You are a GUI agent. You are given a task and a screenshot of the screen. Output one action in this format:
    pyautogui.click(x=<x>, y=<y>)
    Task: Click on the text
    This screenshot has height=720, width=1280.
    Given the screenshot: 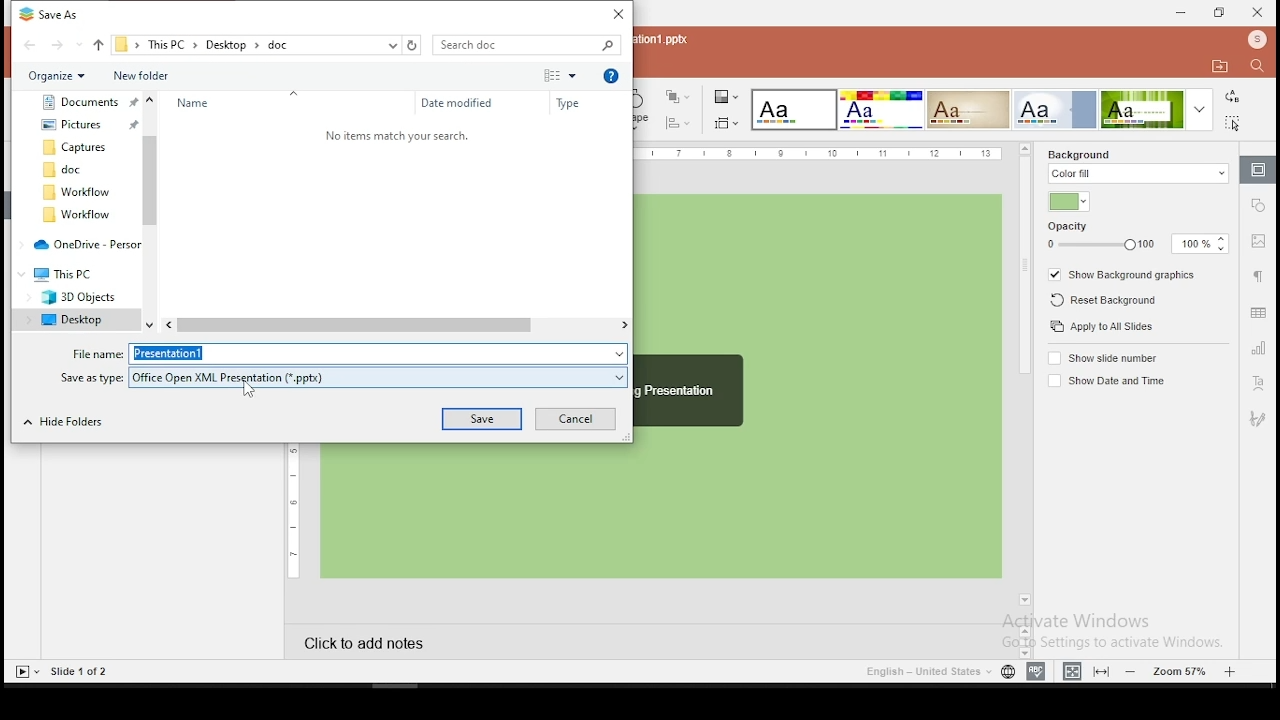 What is the action you would take?
    pyautogui.click(x=395, y=134)
    